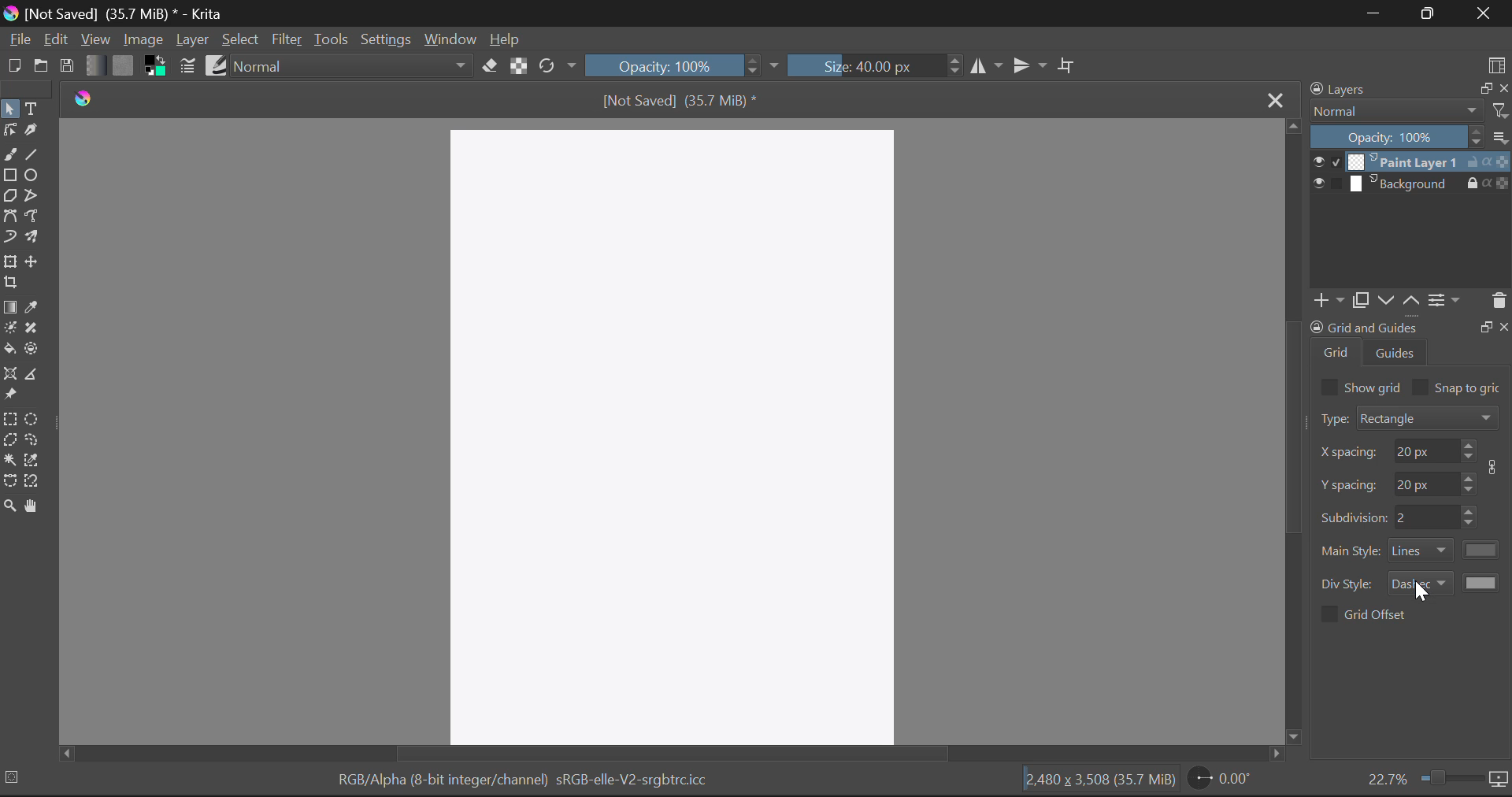 This screenshot has height=797, width=1512. What do you see at coordinates (1425, 517) in the screenshot?
I see `sub division` at bounding box center [1425, 517].